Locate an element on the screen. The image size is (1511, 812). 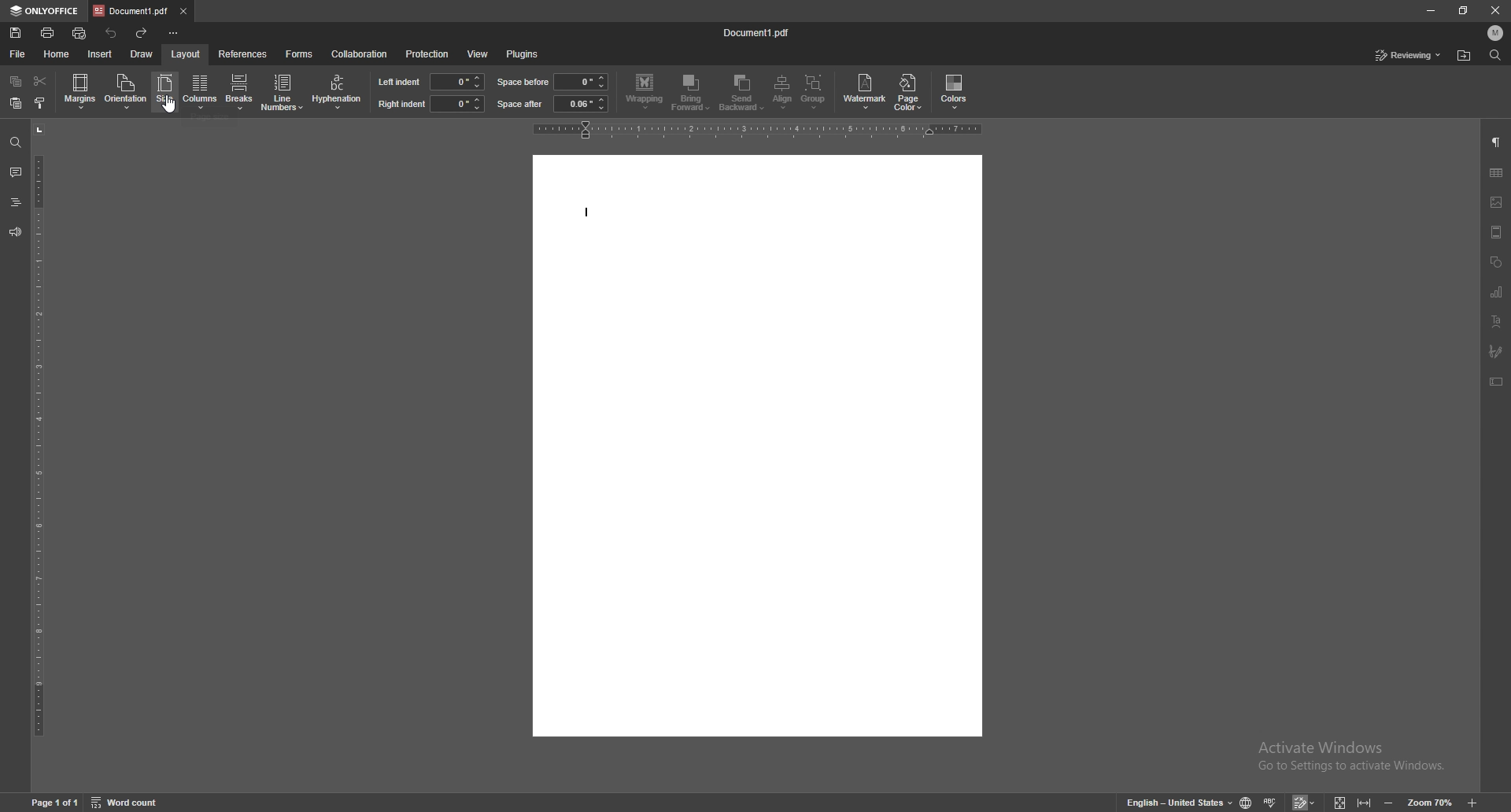
input space after is located at coordinates (581, 104).